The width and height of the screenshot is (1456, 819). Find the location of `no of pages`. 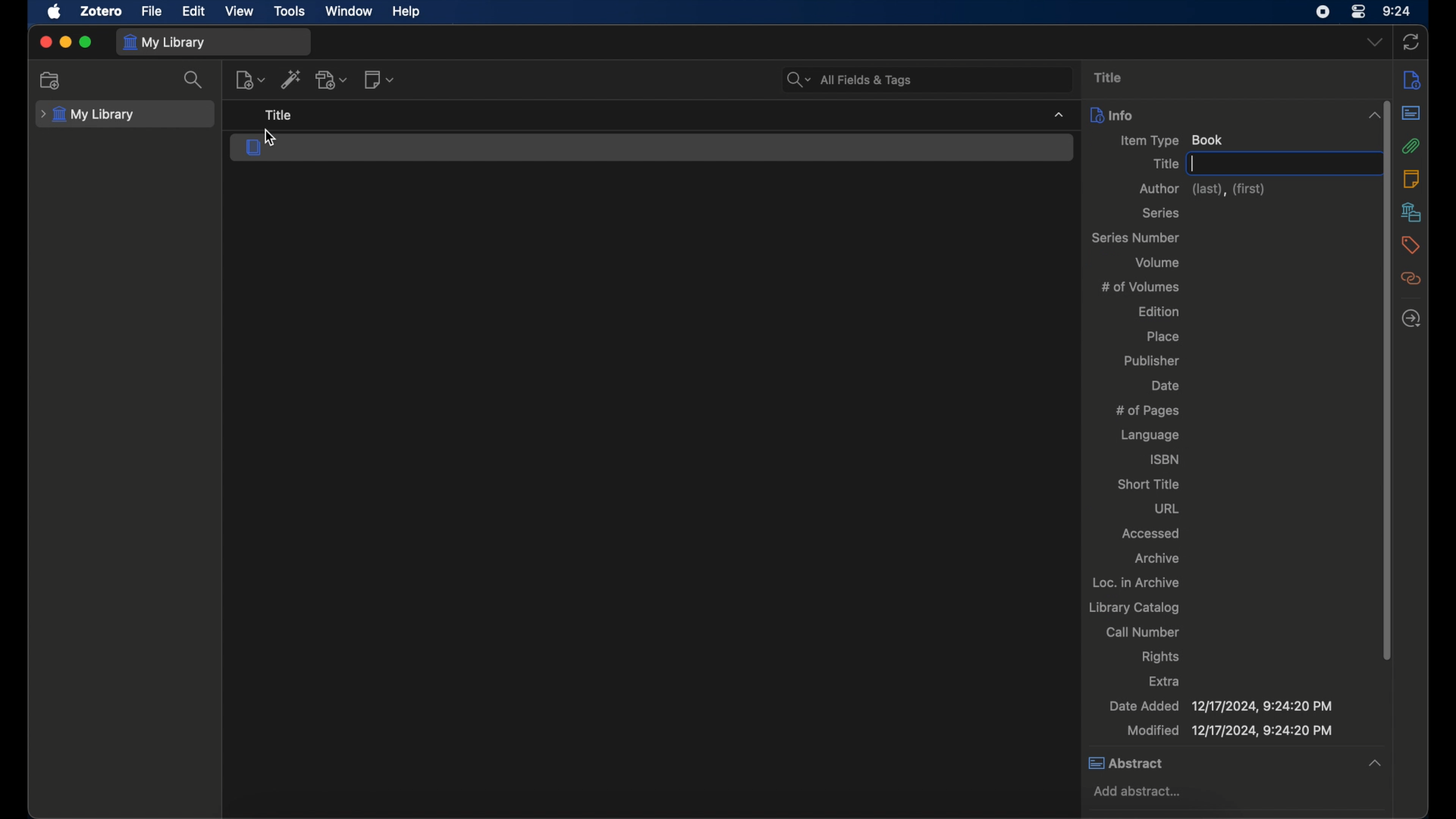

no of pages is located at coordinates (1151, 411).